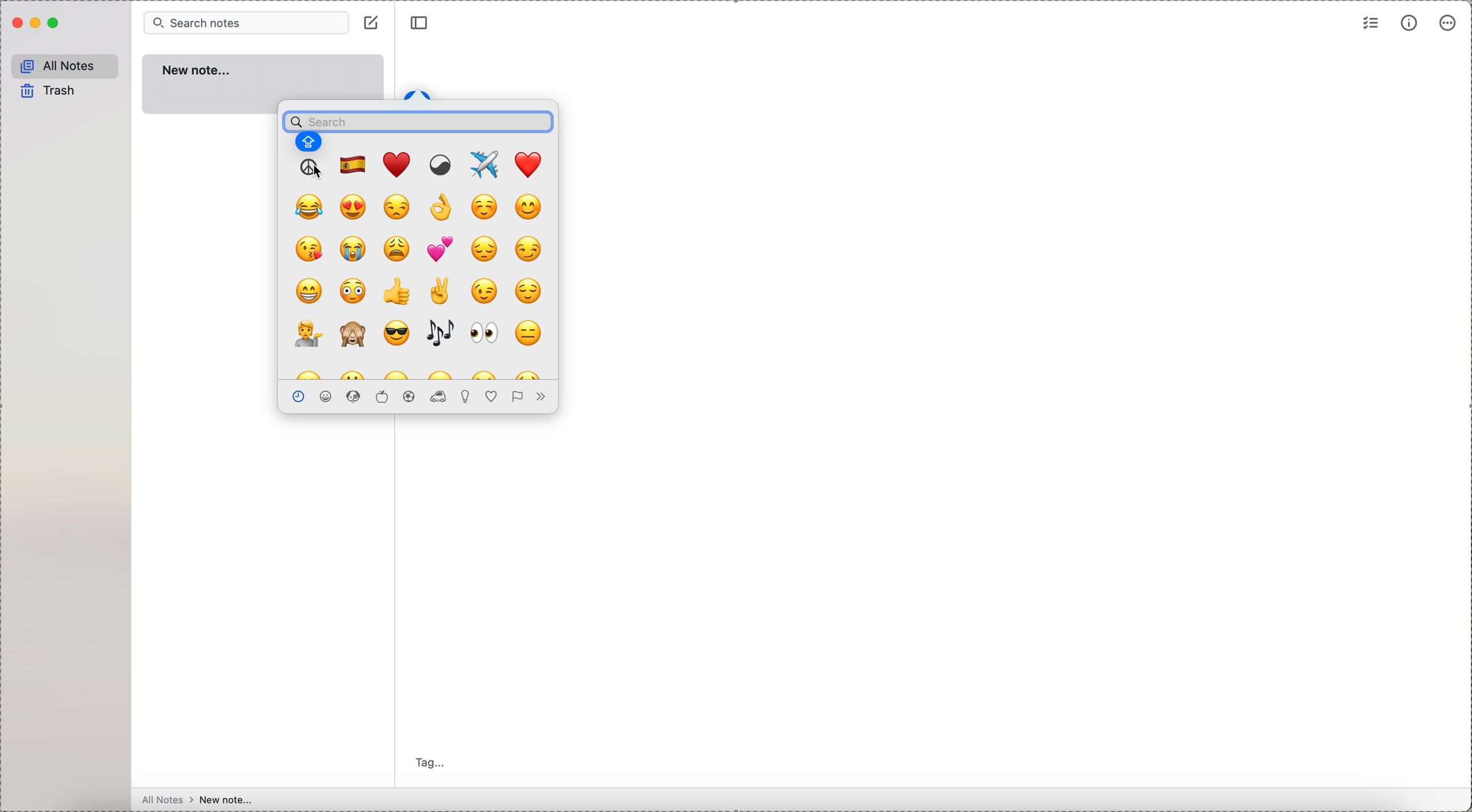 The width and height of the screenshot is (1472, 812). I want to click on emoji, so click(306, 334).